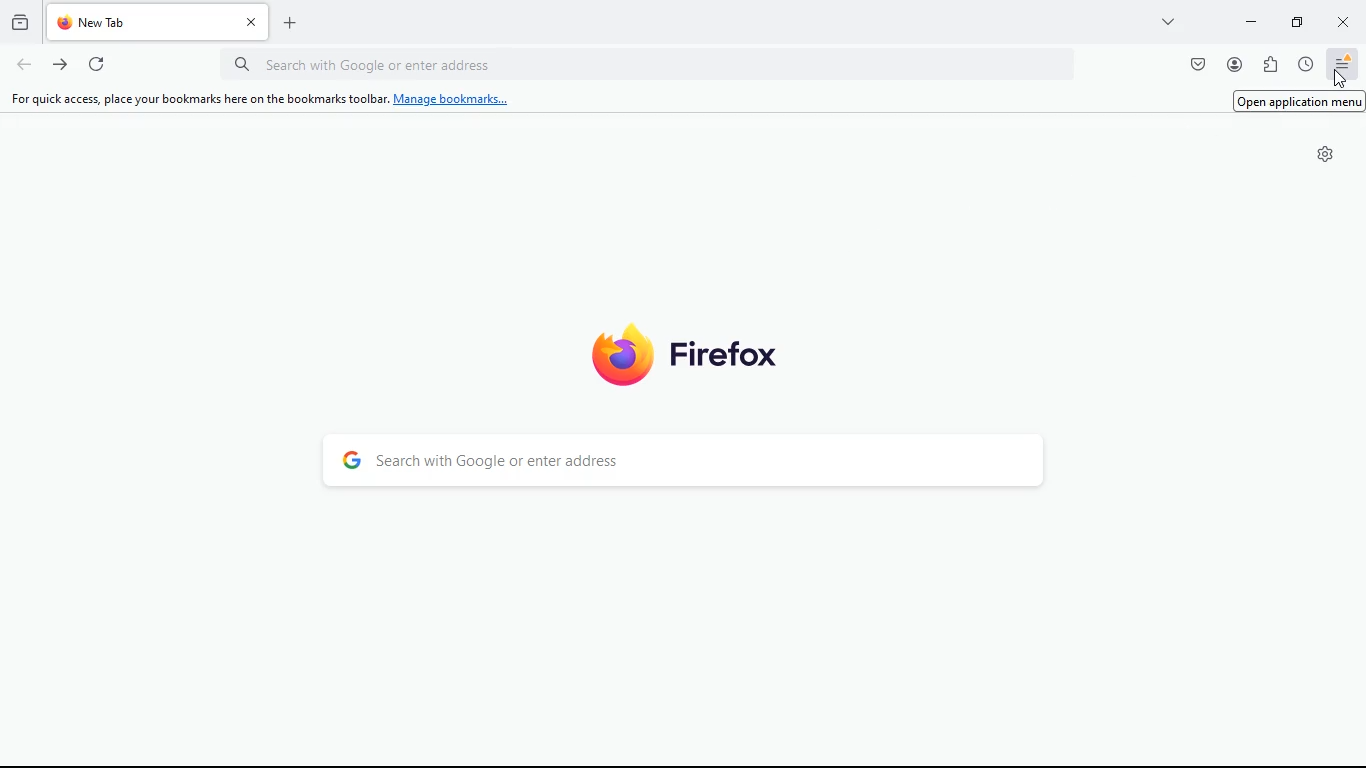 Image resolution: width=1366 pixels, height=768 pixels. What do you see at coordinates (1326, 155) in the screenshot?
I see `settings` at bounding box center [1326, 155].